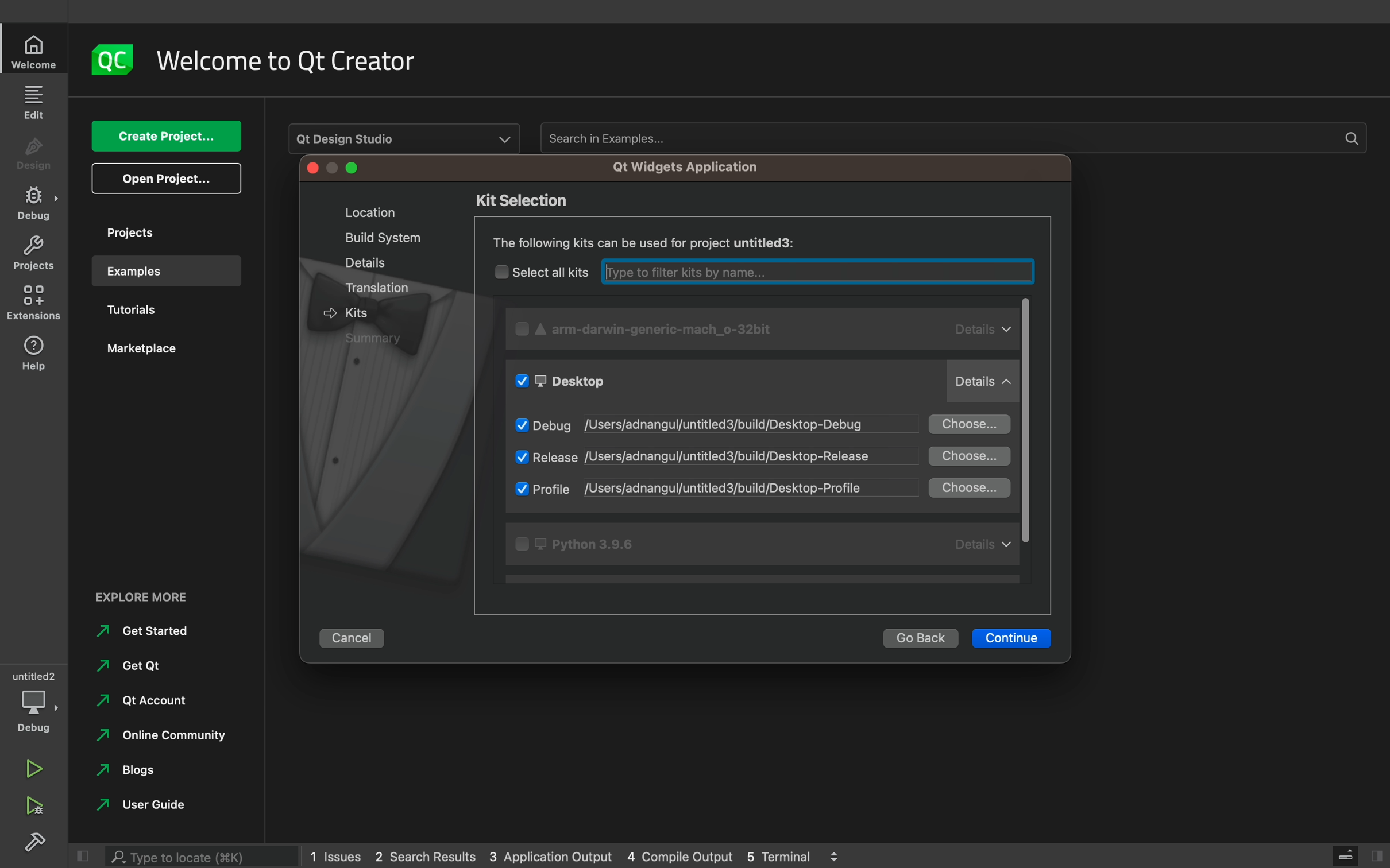 The image size is (1390, 868). What do you see at coordinates (296, 61) in the screenshot?
I see `welcome to qt creator` at bounding box center [296, 61].